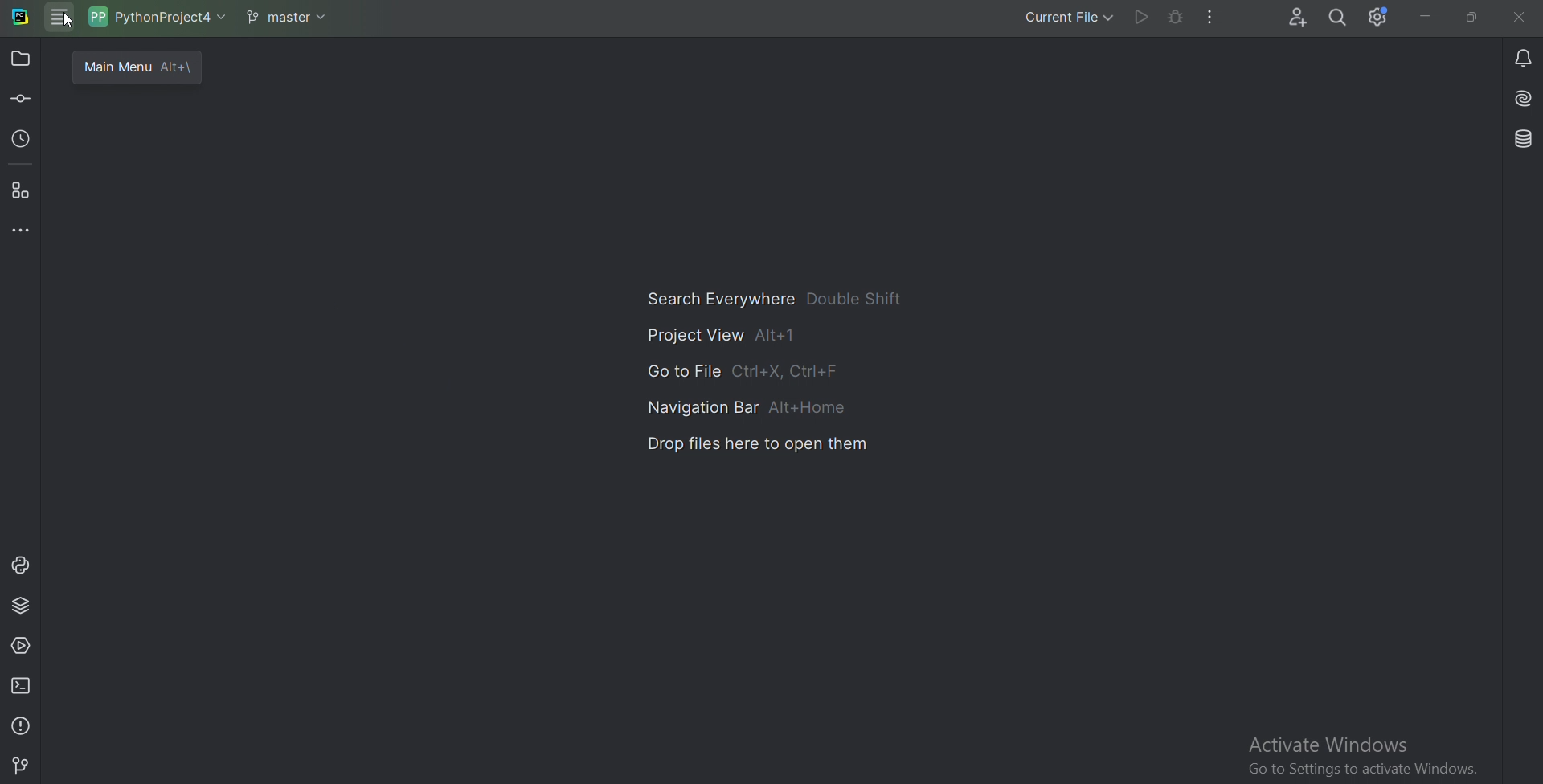 This screenshot has height=784, width=1543. I want to click on Structure, so click(23, 192).